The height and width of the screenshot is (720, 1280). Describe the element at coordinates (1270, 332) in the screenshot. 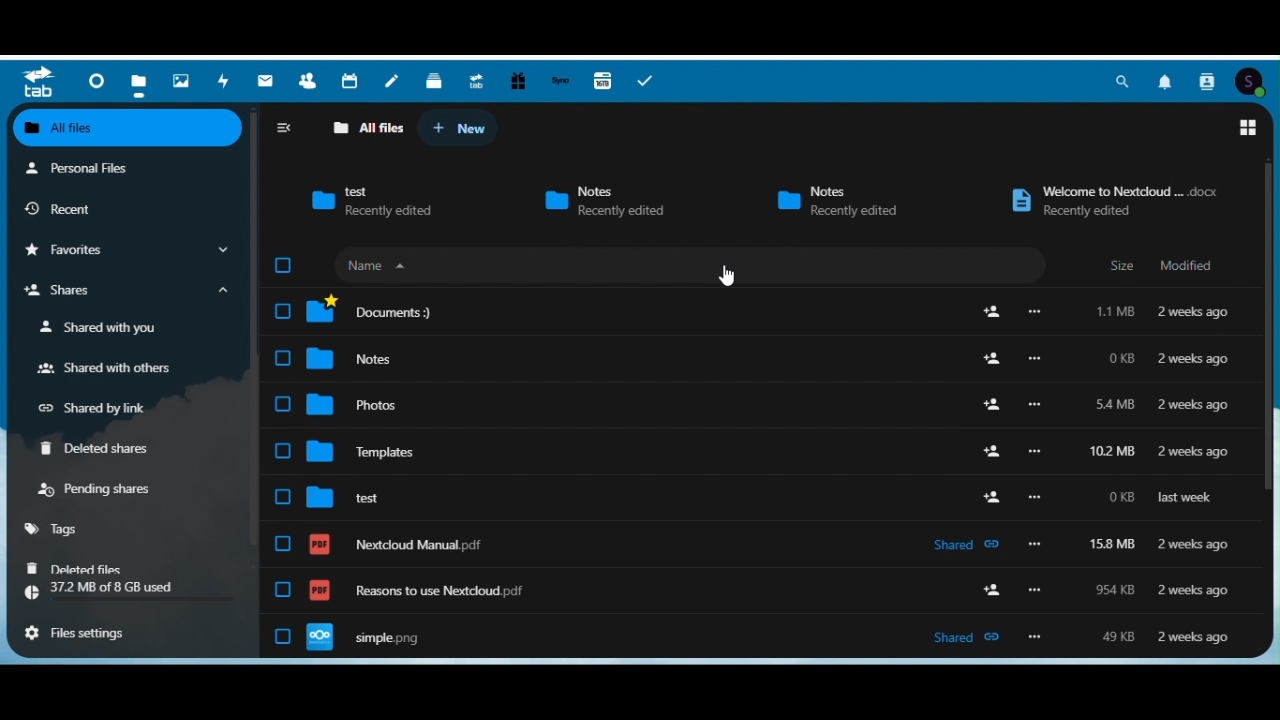

I see `Vertical scrollbar` at that location.